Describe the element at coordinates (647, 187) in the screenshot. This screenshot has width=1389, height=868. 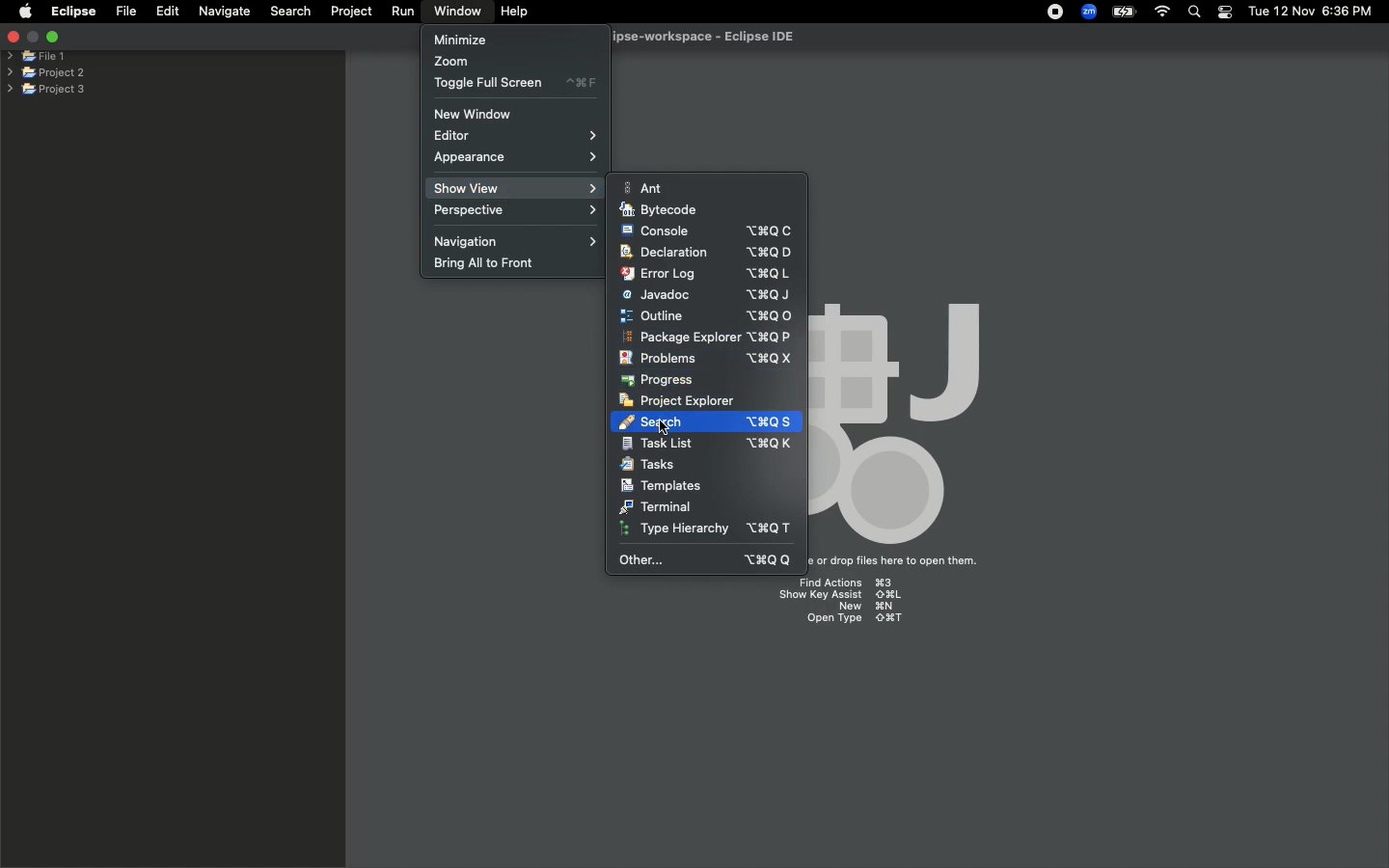
I see `Ant` at that location.